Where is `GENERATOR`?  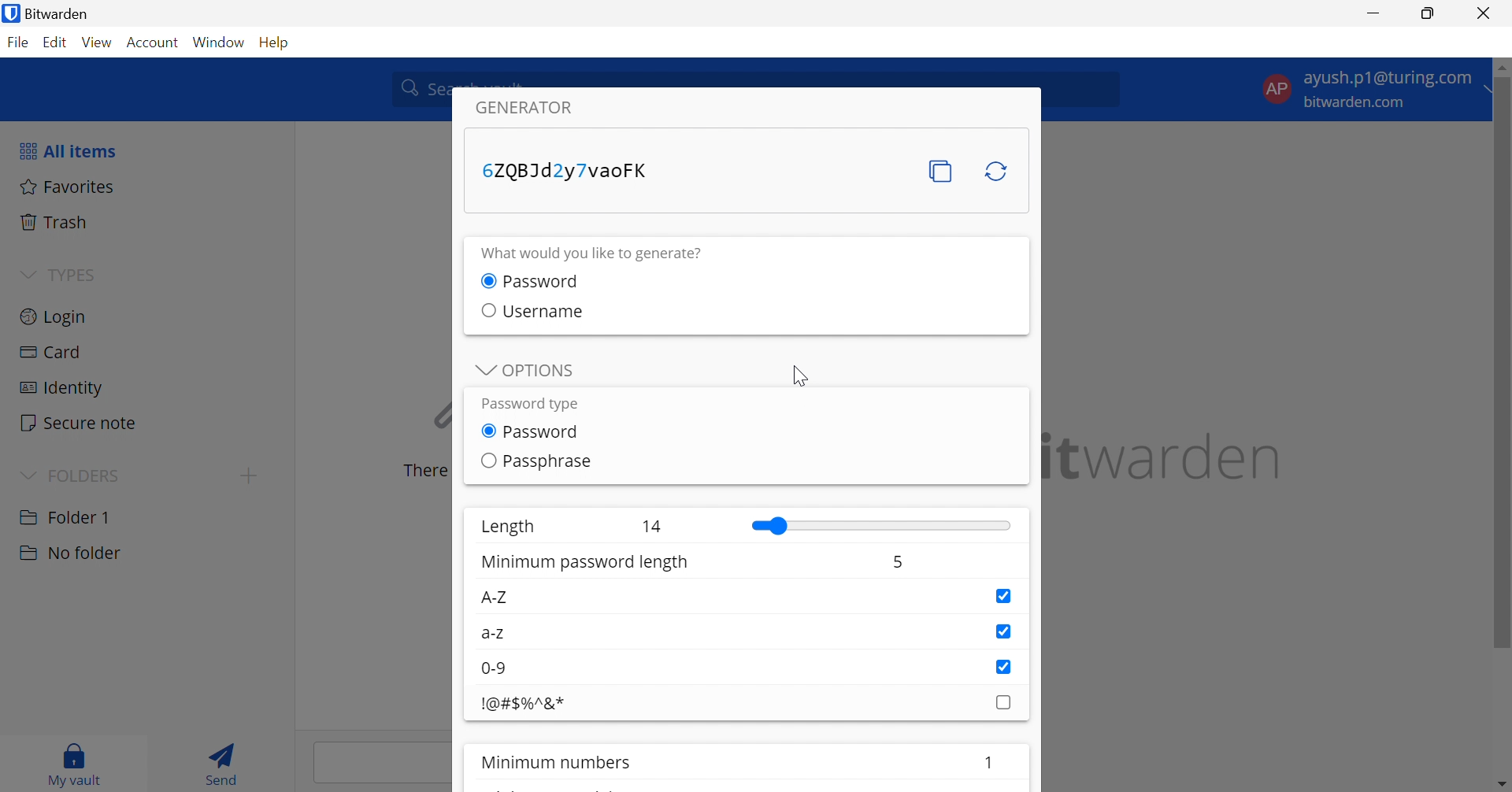
GENERATOR is located at coordinates (536, 108).